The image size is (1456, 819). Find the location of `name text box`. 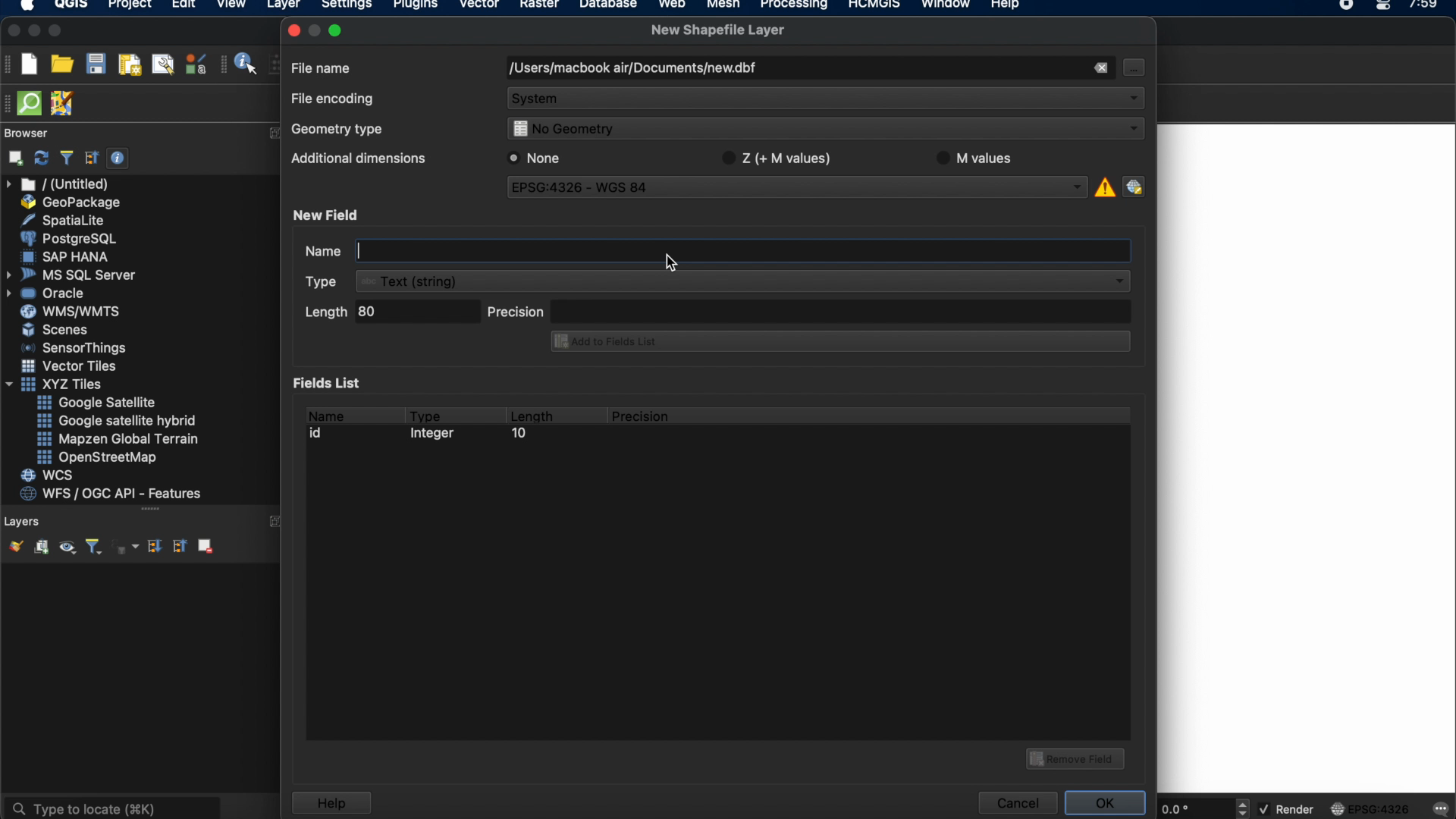

name text box is located at coordinates (715, 251).